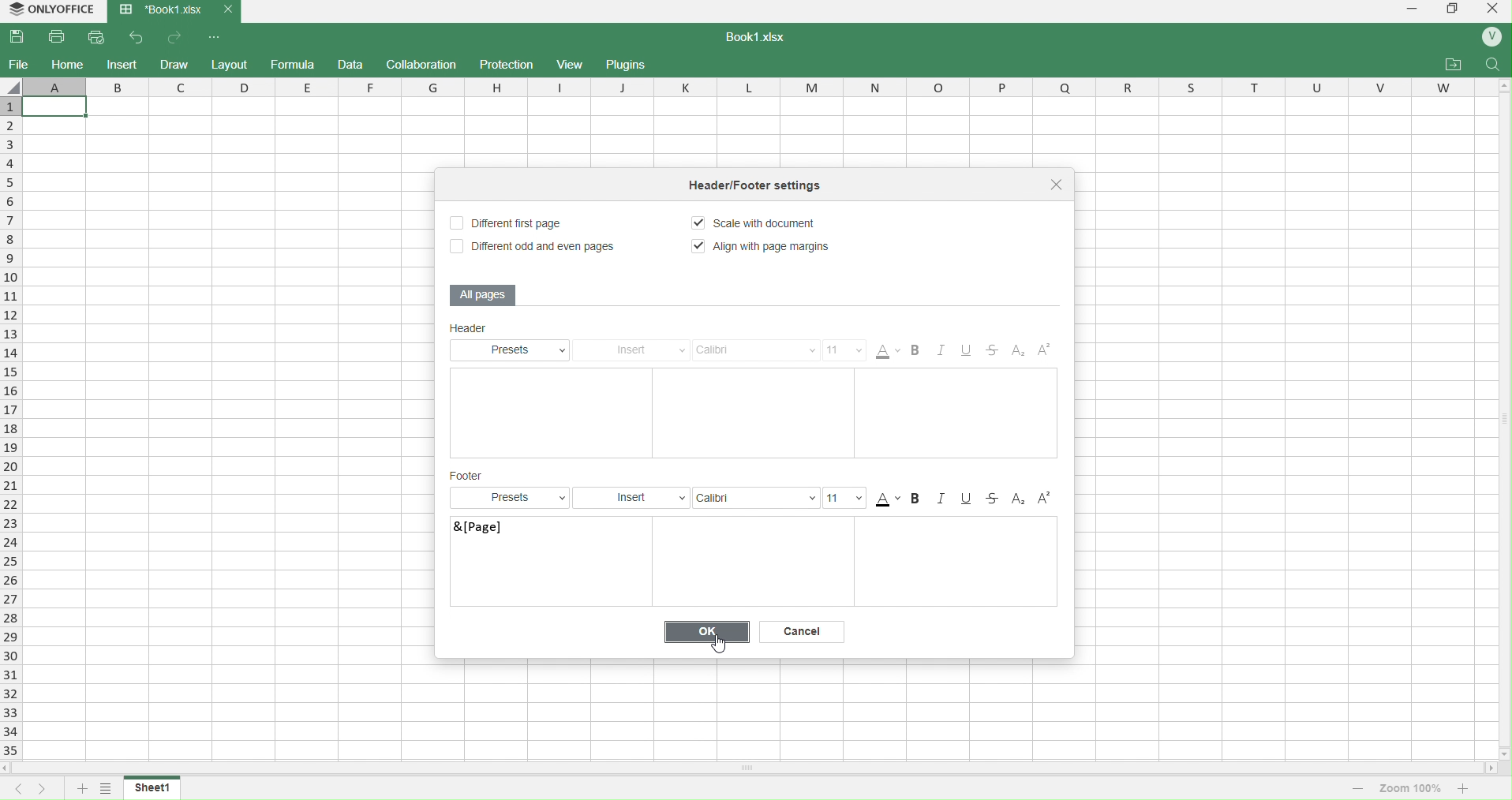 The height and width of the screenshot is (800, 1512). I want to click on tittle, so click(775, 188).